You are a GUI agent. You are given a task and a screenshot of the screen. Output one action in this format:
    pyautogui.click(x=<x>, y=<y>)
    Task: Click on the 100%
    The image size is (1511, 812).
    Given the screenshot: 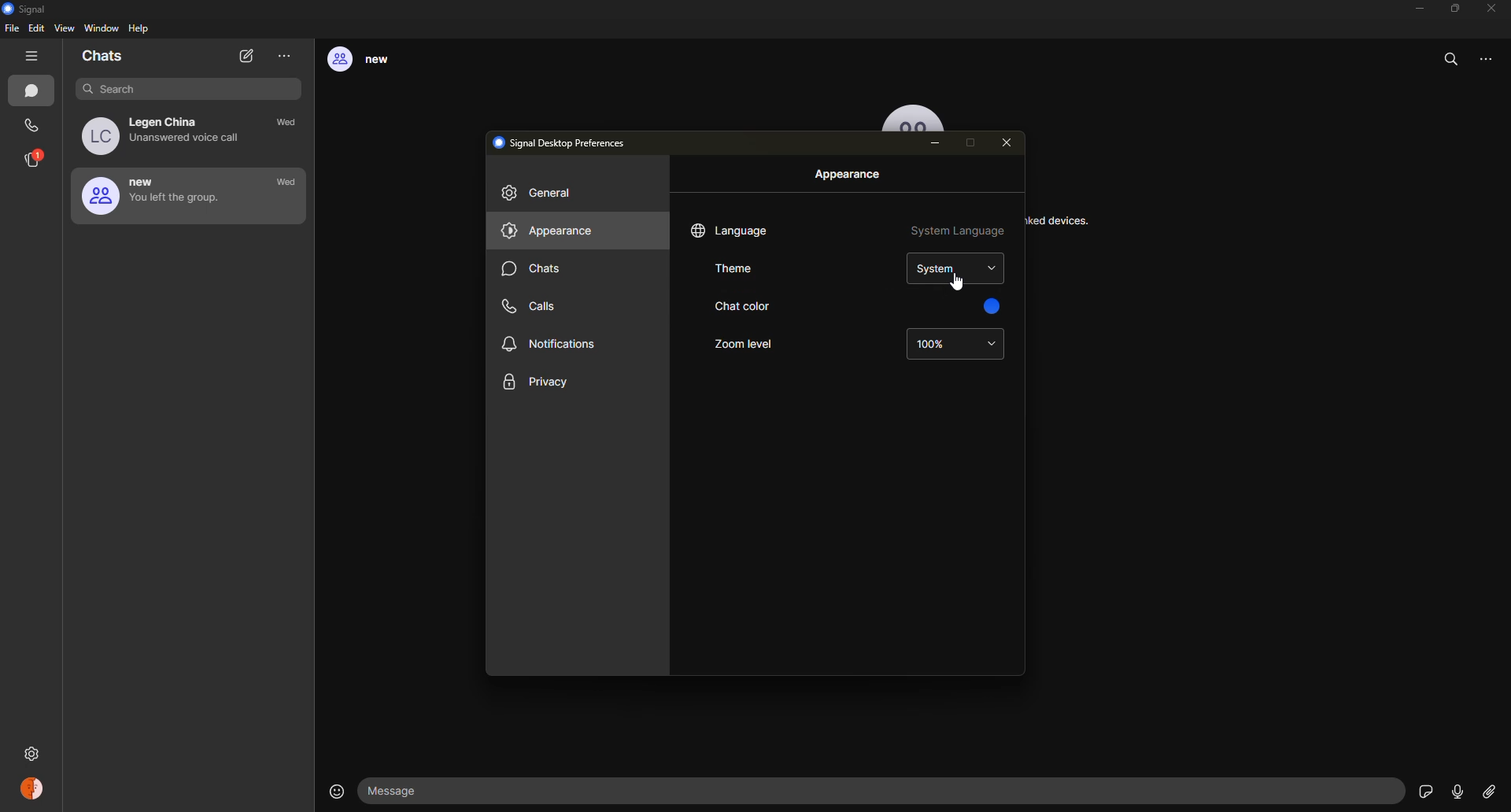 What is the action you would take?
    pyautogui.click(x=955, y=346)
    